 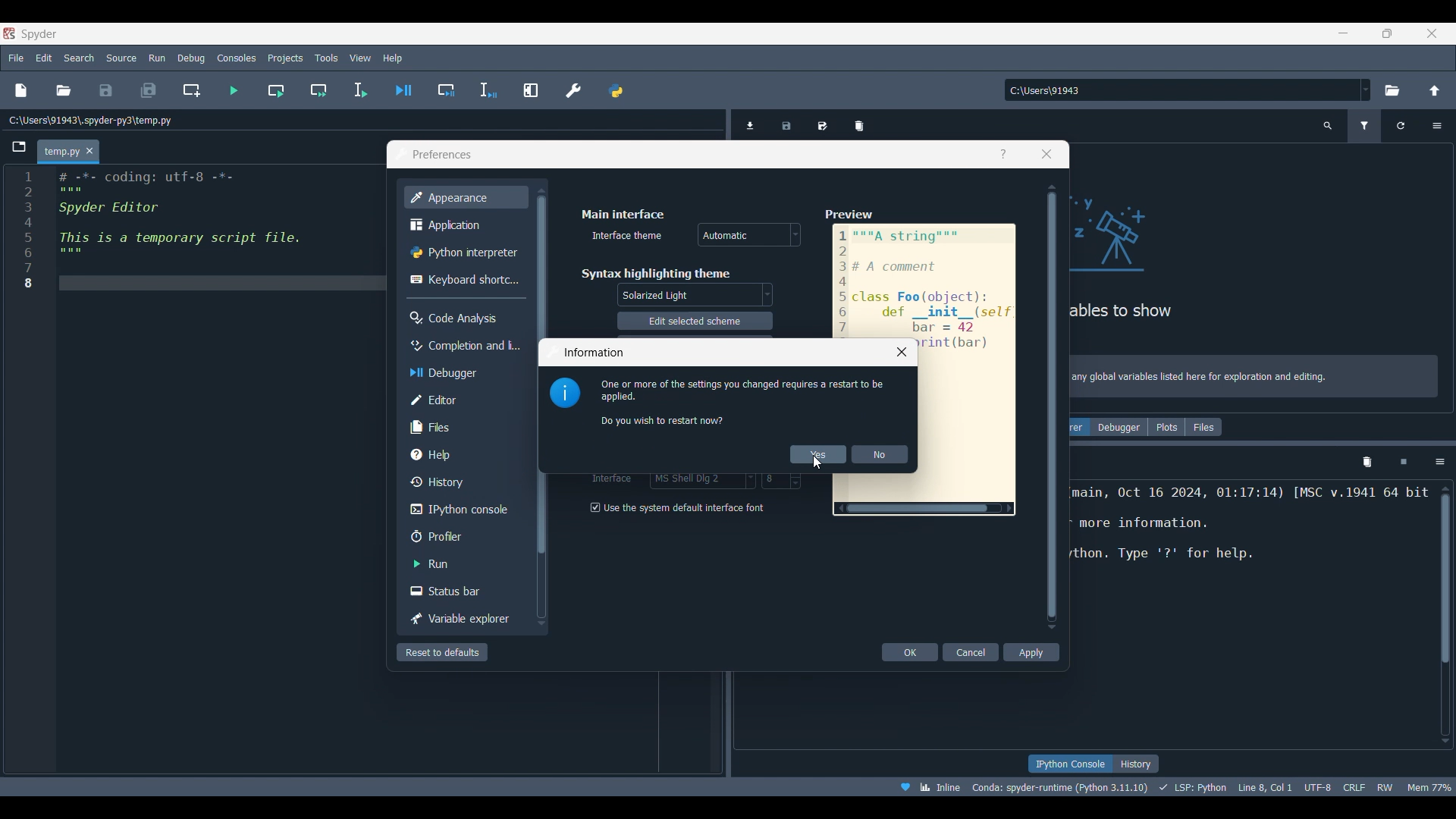 I want to click on Filter variables, so click(x=1364, y=126).